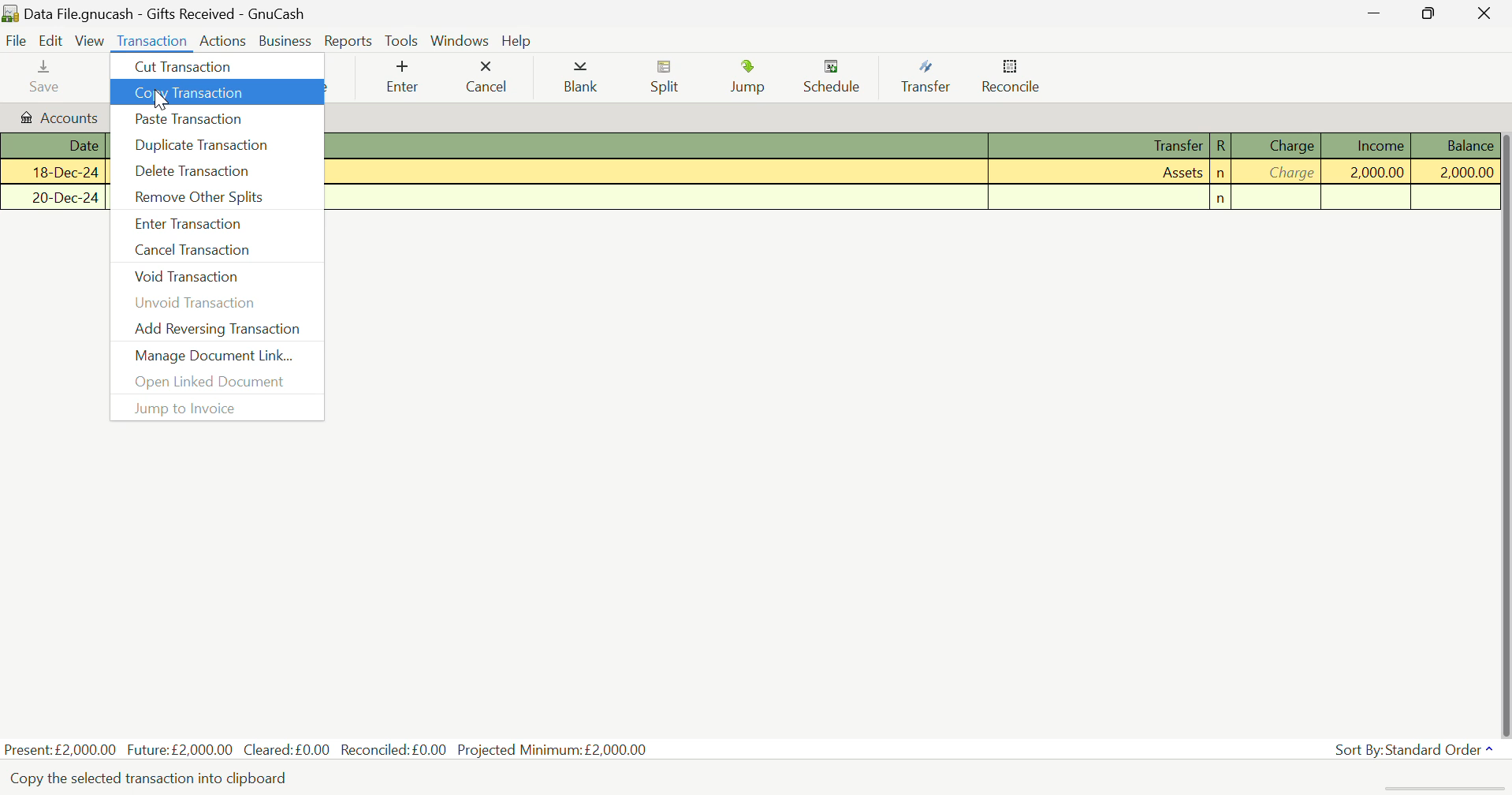 The height and width of the screenshot is (795, 1512). I want to click on Restore Down, so click(1377, 13).